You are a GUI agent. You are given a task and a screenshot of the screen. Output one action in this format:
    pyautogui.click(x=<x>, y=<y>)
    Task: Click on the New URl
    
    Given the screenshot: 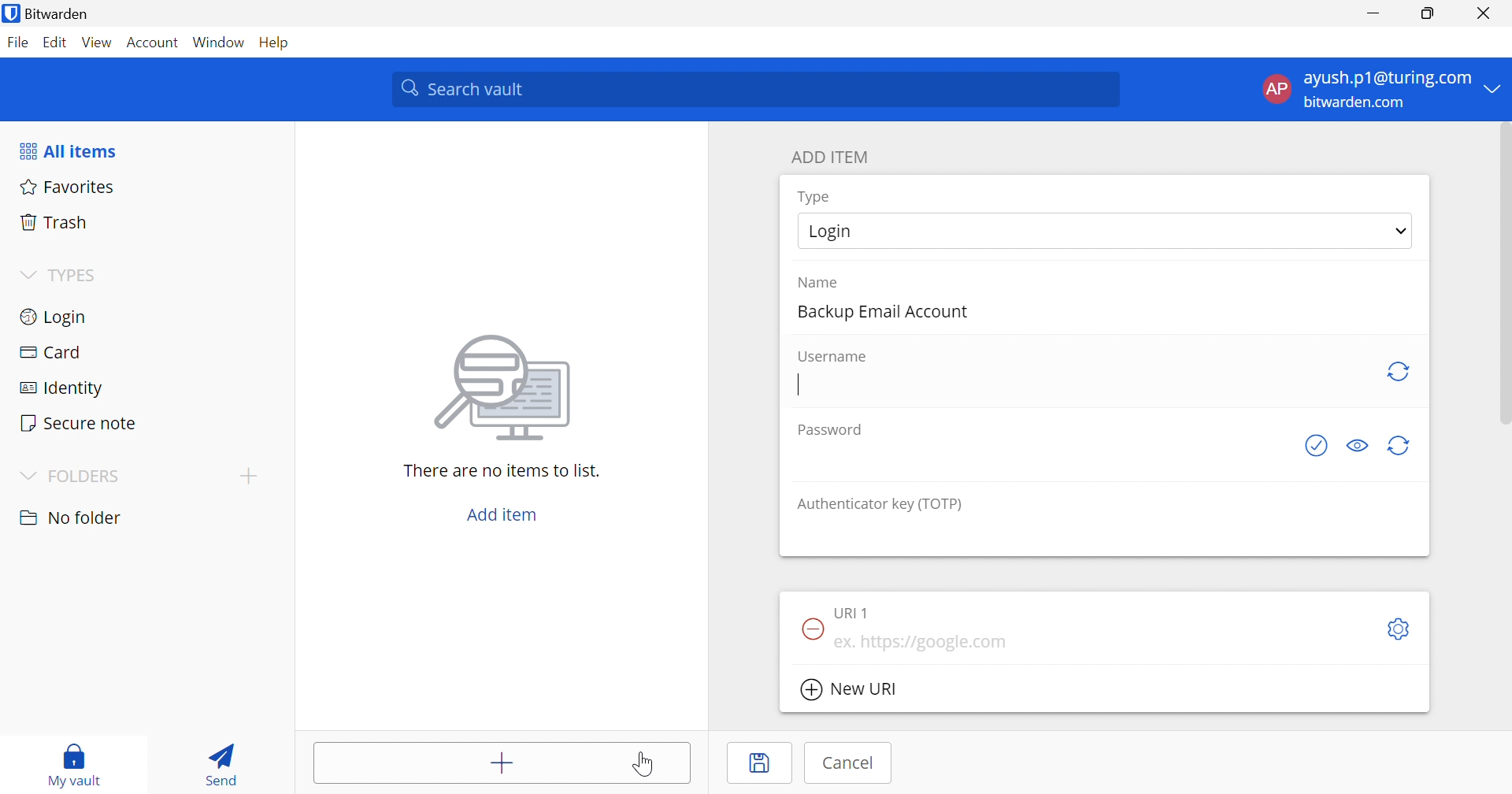 What is the action you would take?
    pyautogui.click(x=849, y=690)
    